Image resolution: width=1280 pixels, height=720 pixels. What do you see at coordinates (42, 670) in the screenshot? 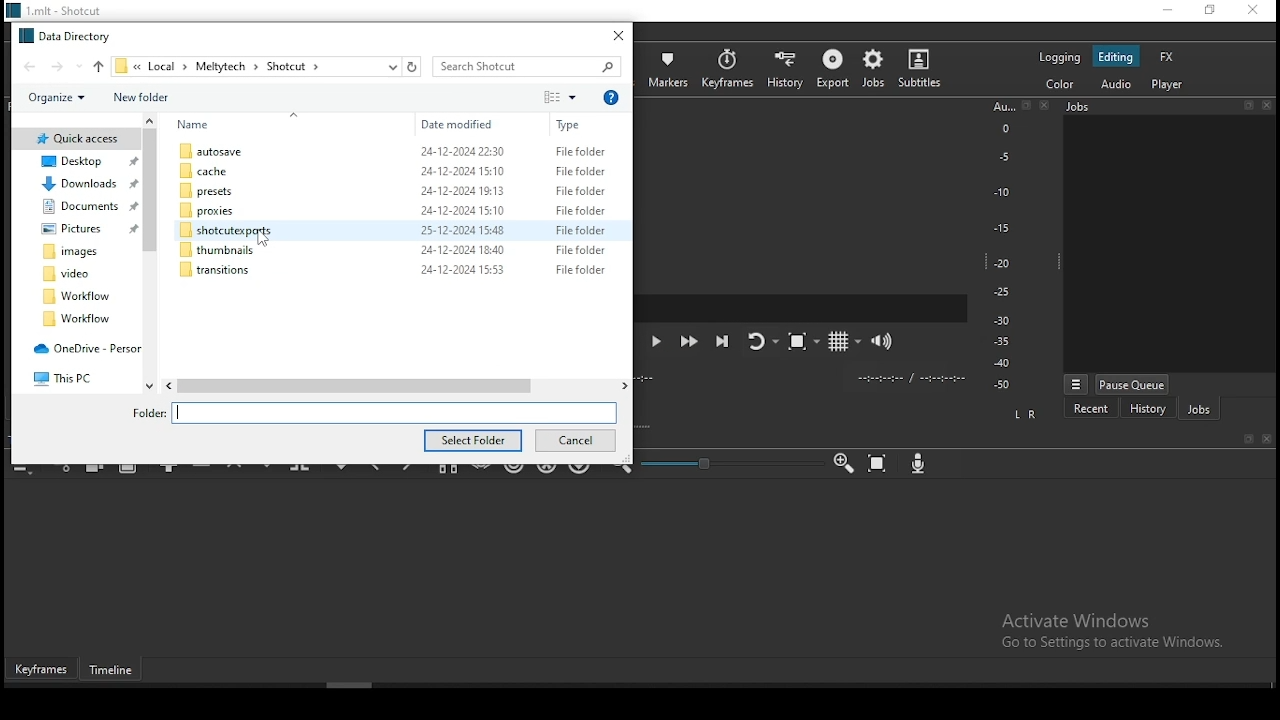
I see `keyframes` at bounding box center [42, 670].